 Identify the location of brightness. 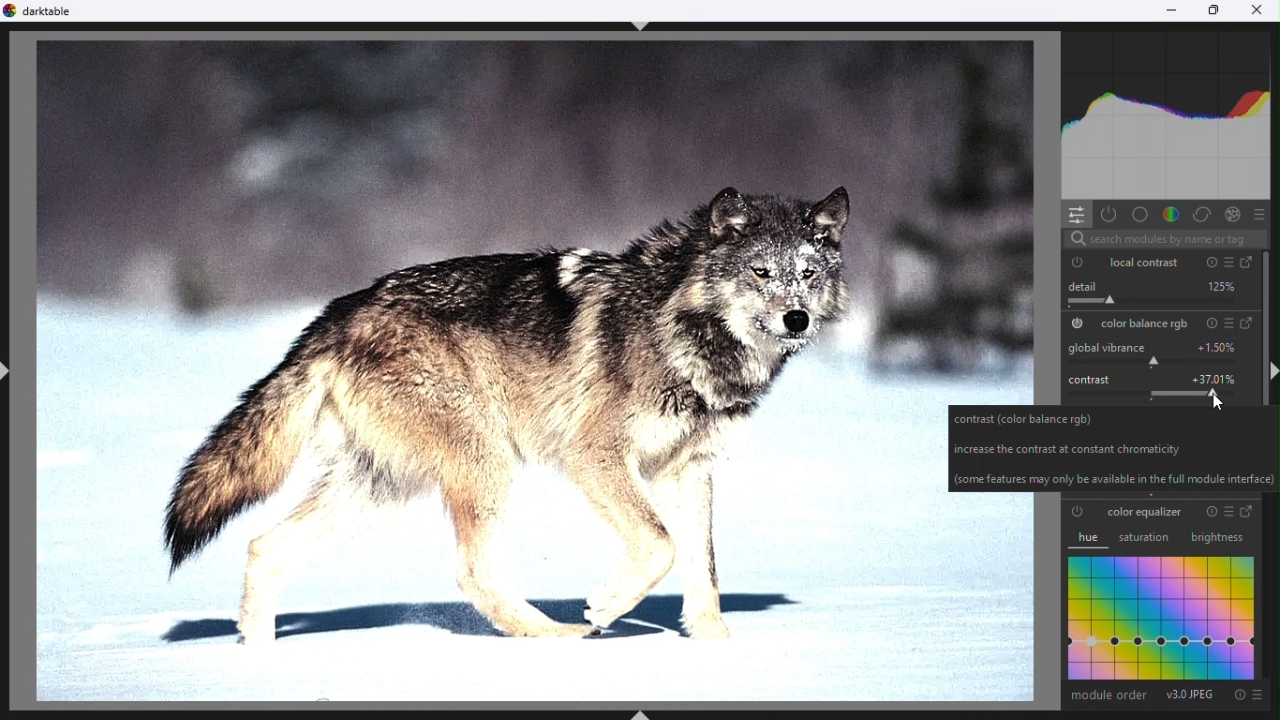
(1216, 538).